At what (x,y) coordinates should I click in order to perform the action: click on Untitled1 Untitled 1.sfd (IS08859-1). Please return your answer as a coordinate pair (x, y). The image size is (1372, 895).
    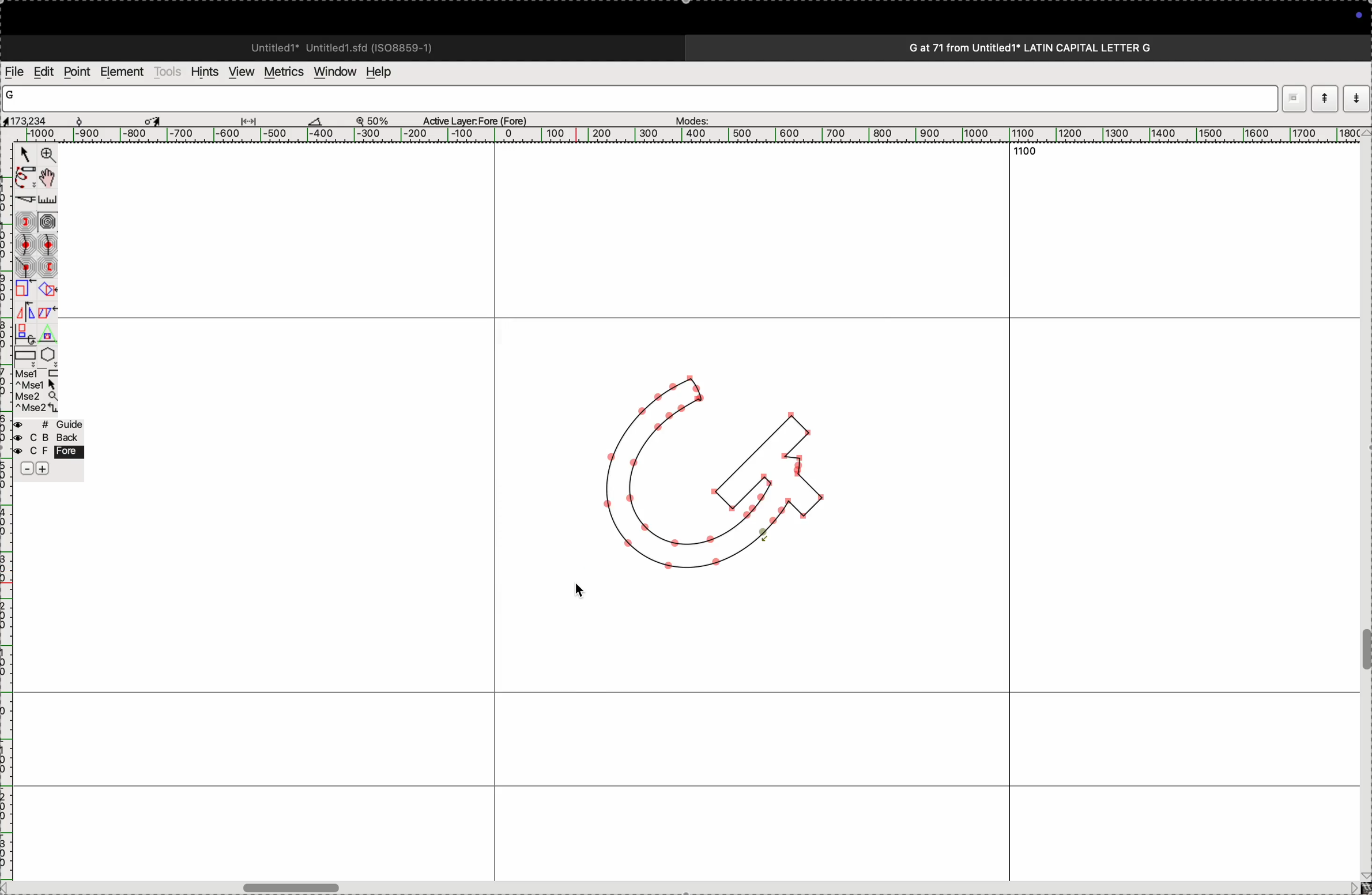
    Looking at the image, I should click on (333, 46).